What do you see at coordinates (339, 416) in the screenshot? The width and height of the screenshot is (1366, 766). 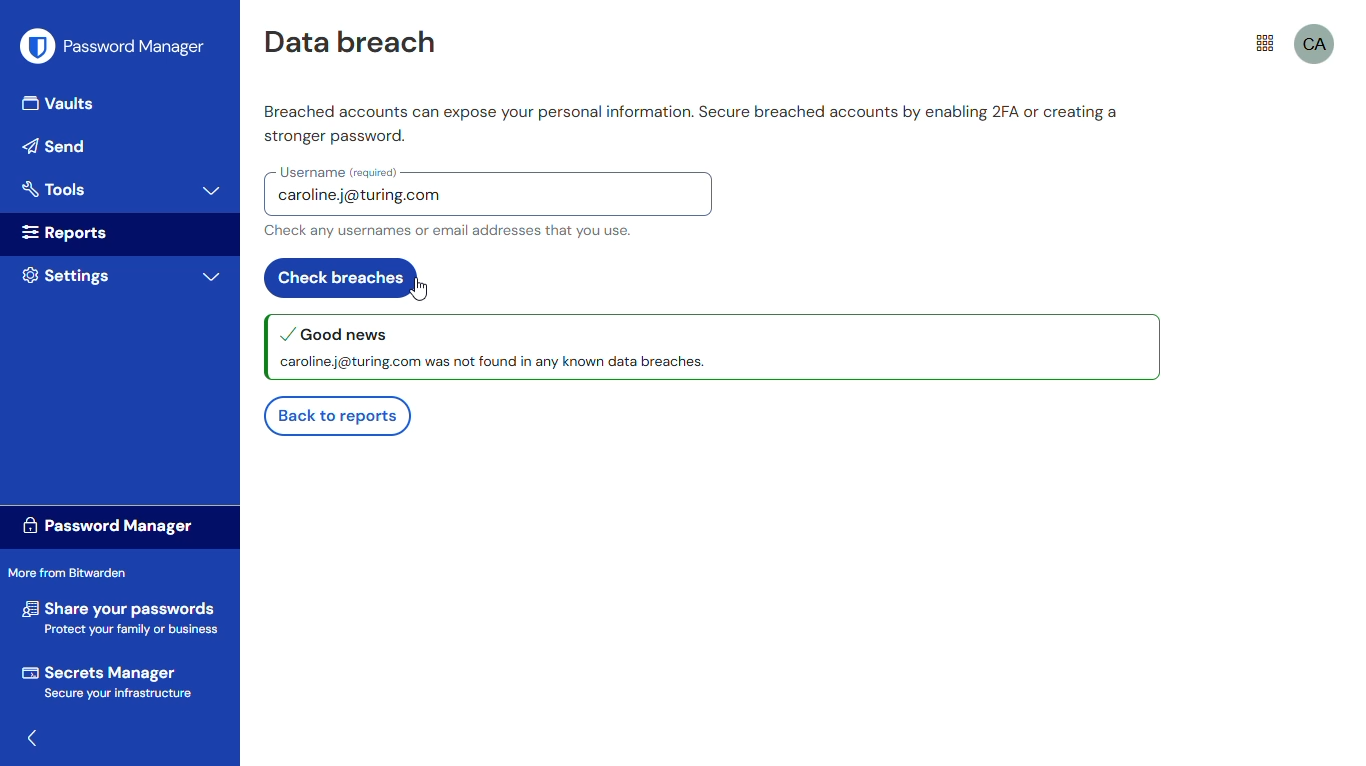 I see `back to reports` at bounding box center [339, 416].